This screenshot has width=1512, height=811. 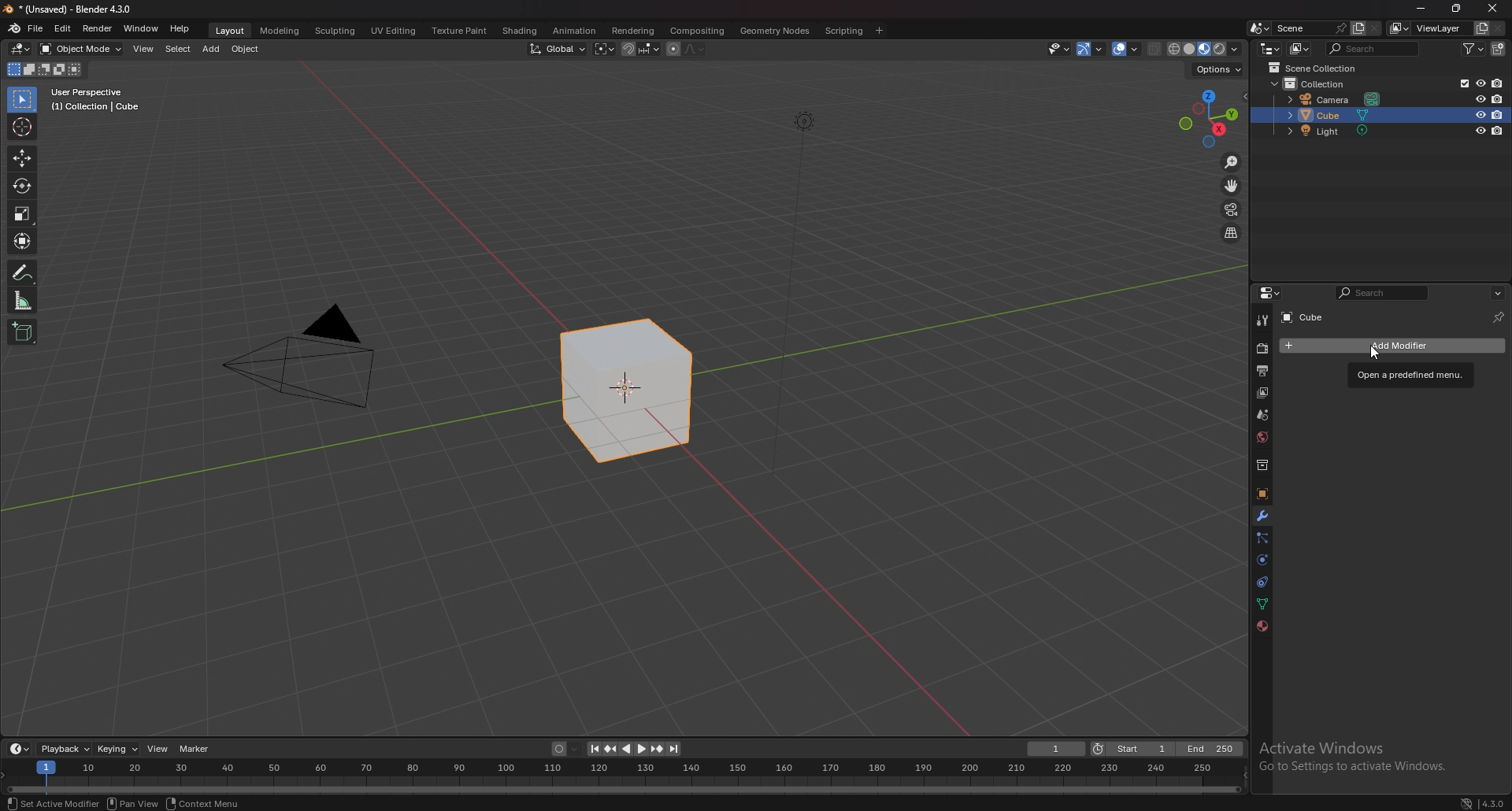 What do you see at coordinates (1499, 317) in the screenshot?
I see `toggle pin id` at bounding box center [1499, 317].